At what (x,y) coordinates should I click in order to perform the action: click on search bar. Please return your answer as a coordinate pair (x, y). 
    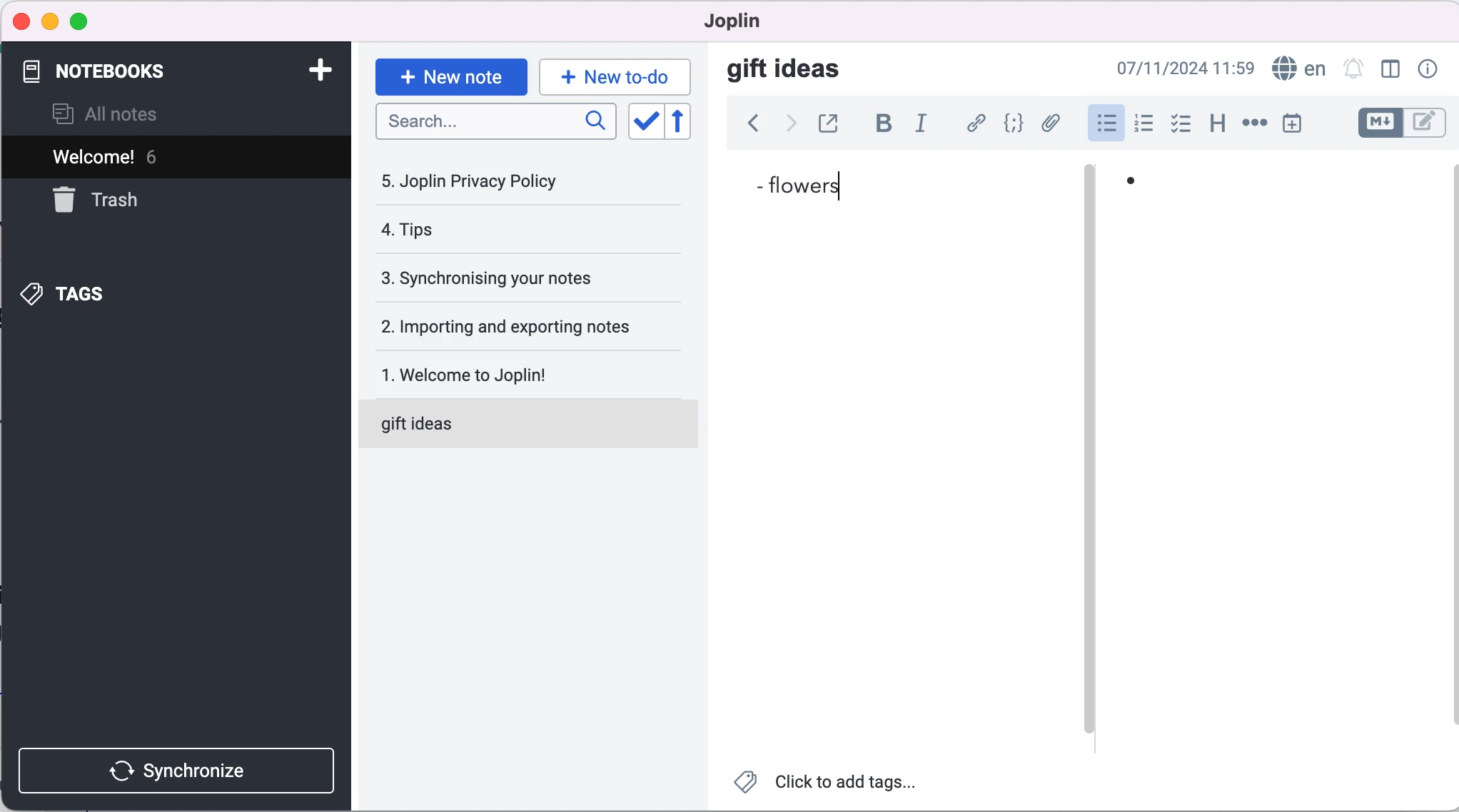
    Looking at the image, I should click on (493, 123).